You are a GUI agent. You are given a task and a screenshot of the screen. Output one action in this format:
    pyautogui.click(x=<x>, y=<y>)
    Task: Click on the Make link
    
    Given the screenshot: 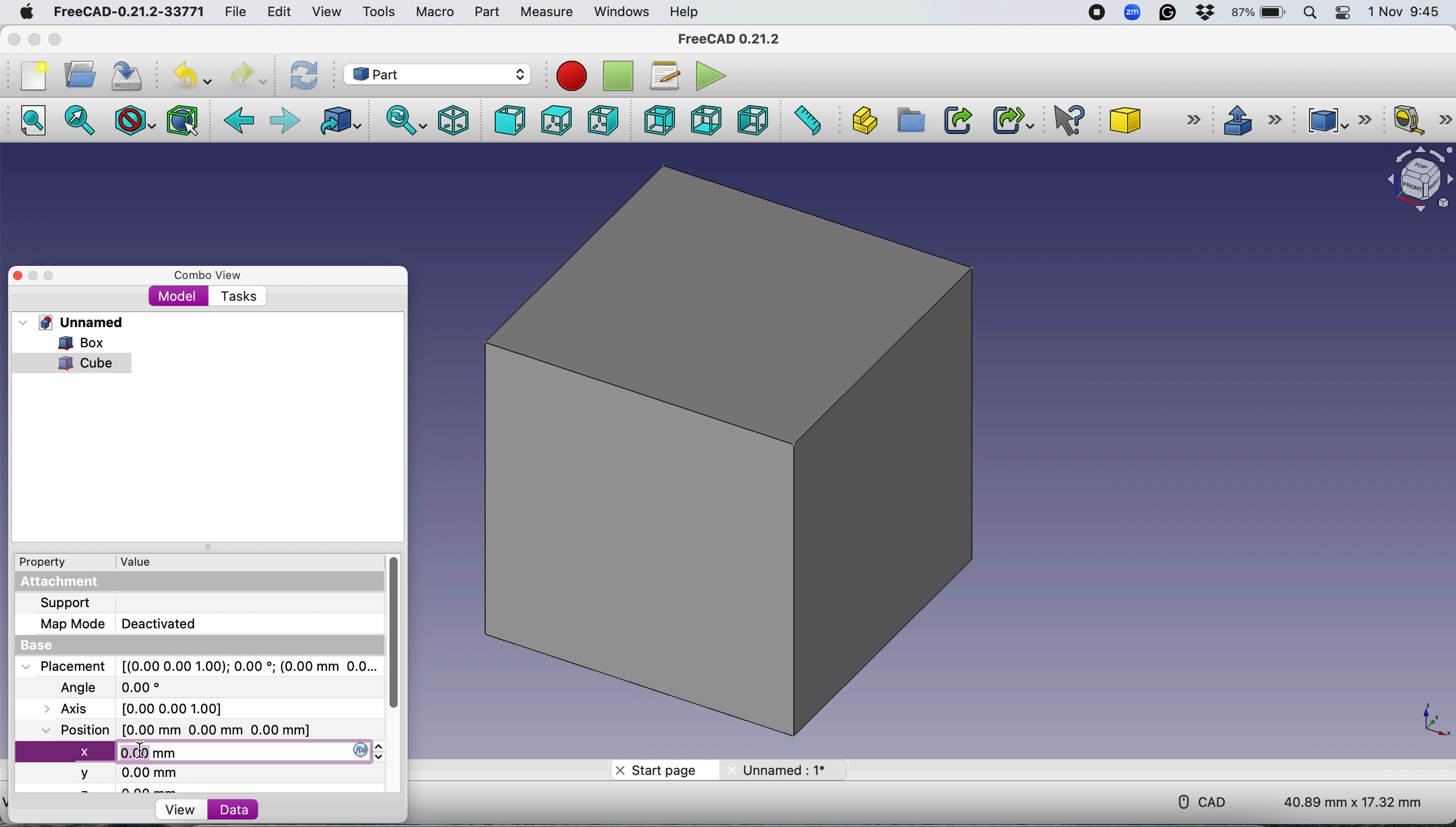 What is the action you would take?
    pyautogui.click(x=958, y=120)
    